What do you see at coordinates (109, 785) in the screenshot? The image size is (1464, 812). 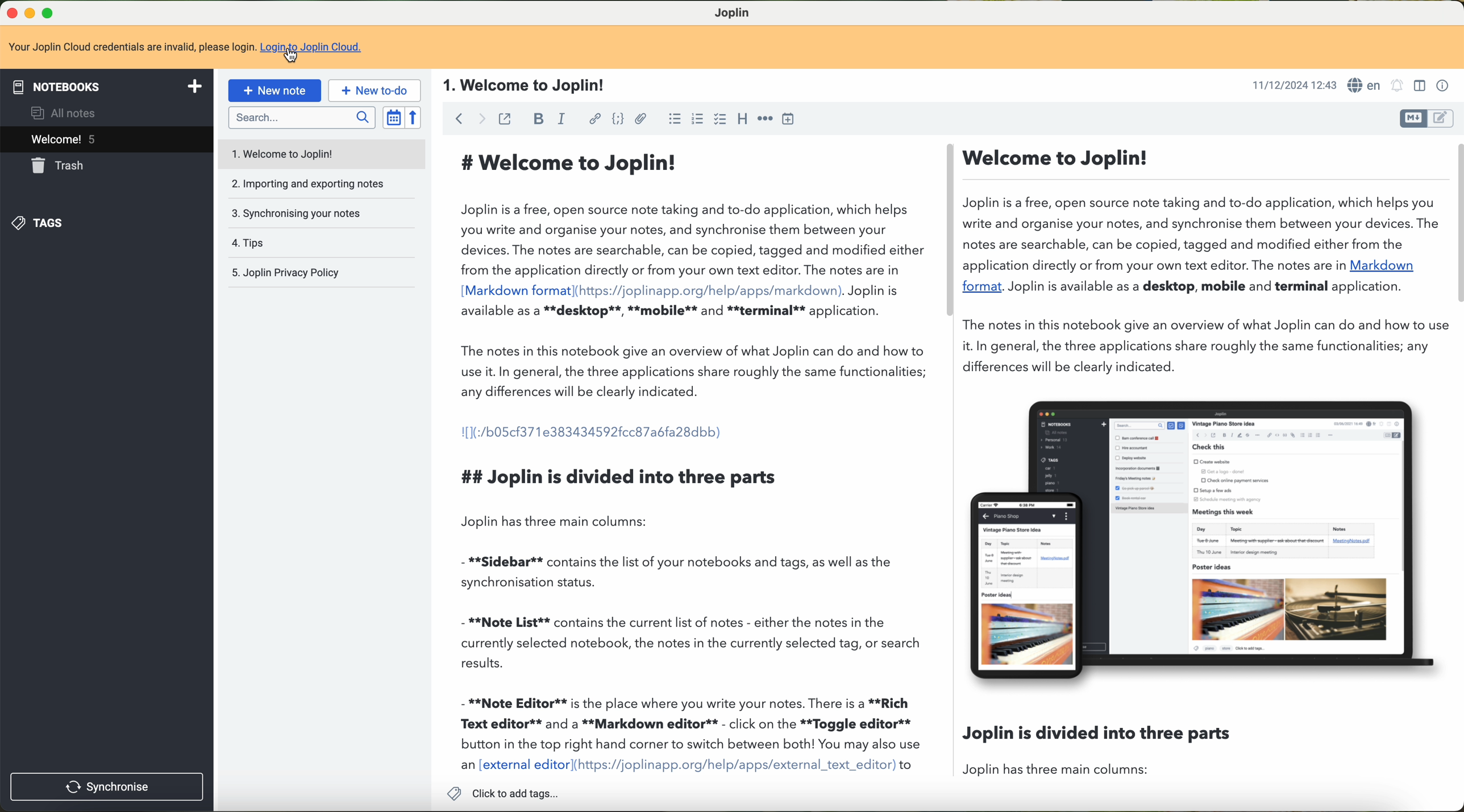 I see `Synchromise` at bounding box center [109, 785].